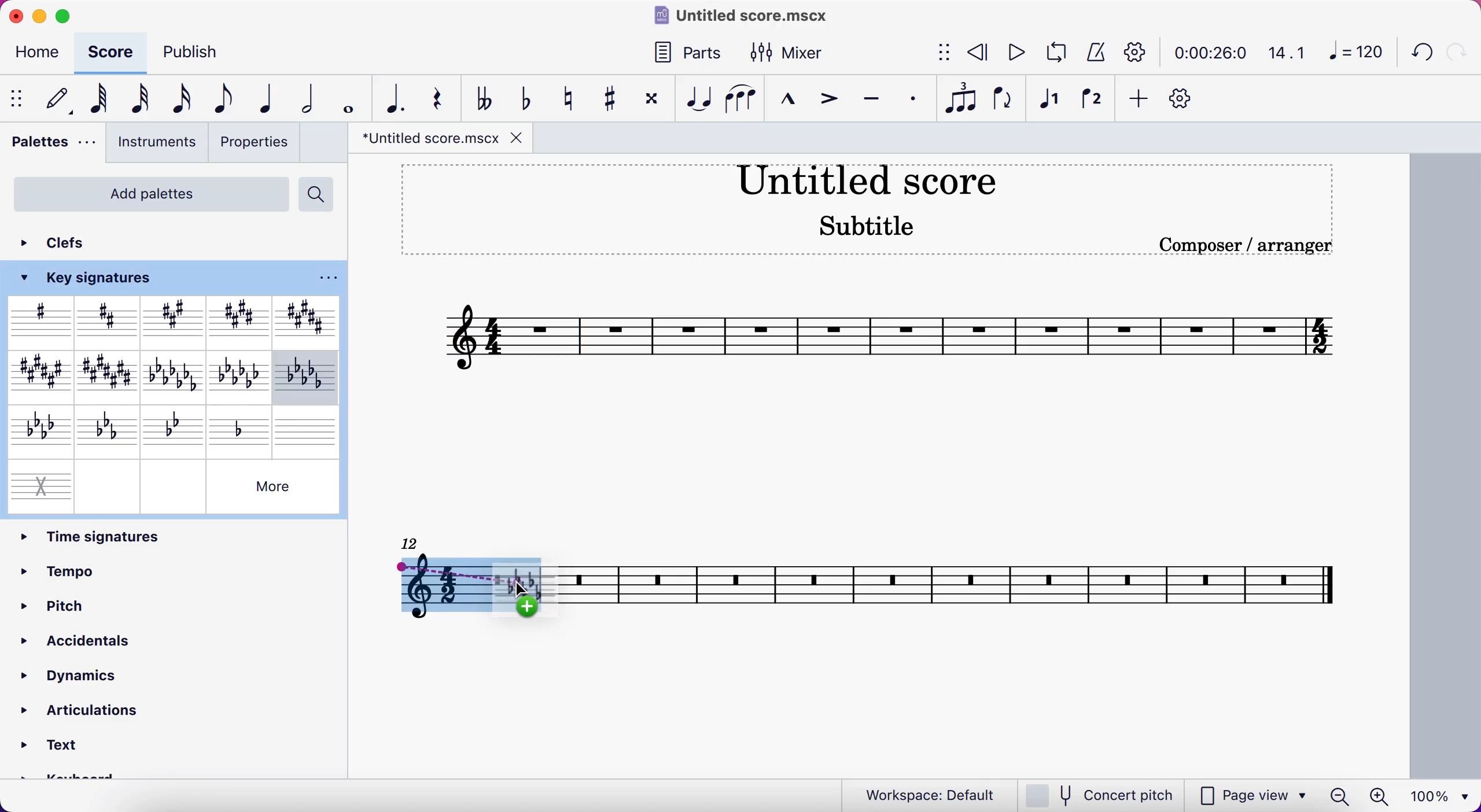 The image size is (1481, 812). What do you see at coordinates (1287, 50) in the screenshot?
I see `14.1` at bounding box center [1287, 50].